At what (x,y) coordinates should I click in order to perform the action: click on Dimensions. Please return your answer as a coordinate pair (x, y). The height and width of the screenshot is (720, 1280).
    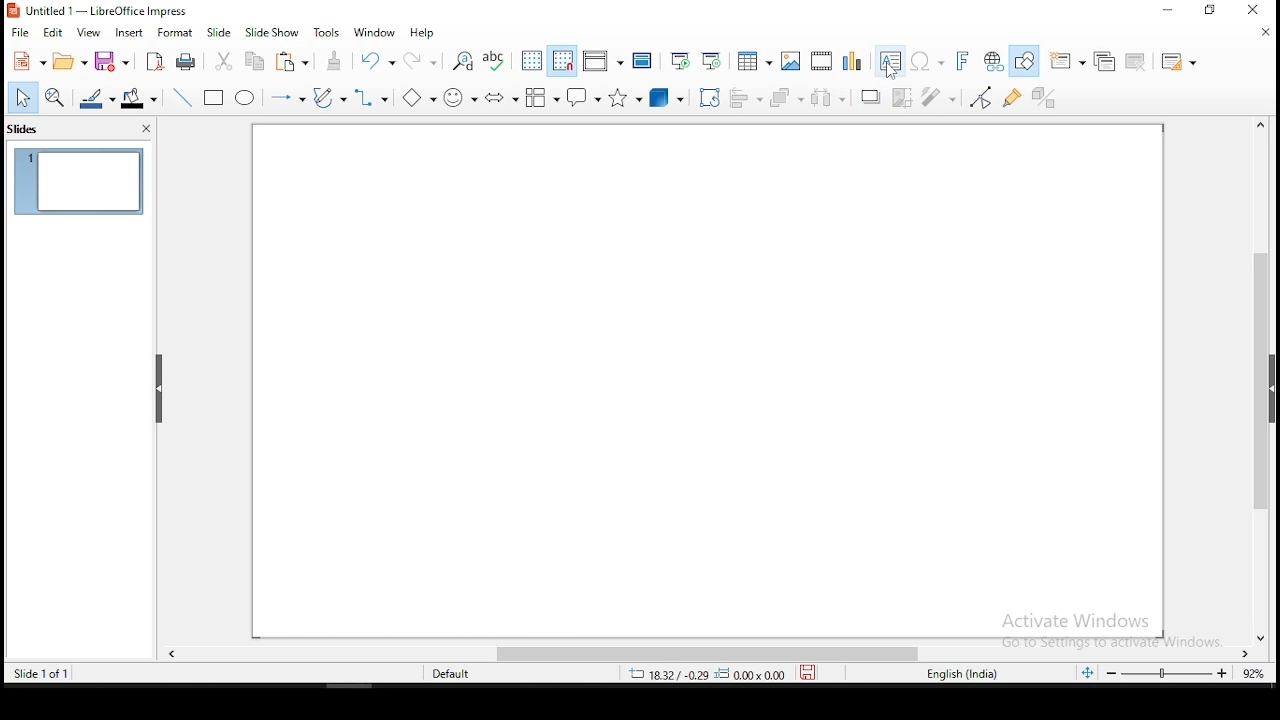
    Looking at the image, I should click on (707, 673).